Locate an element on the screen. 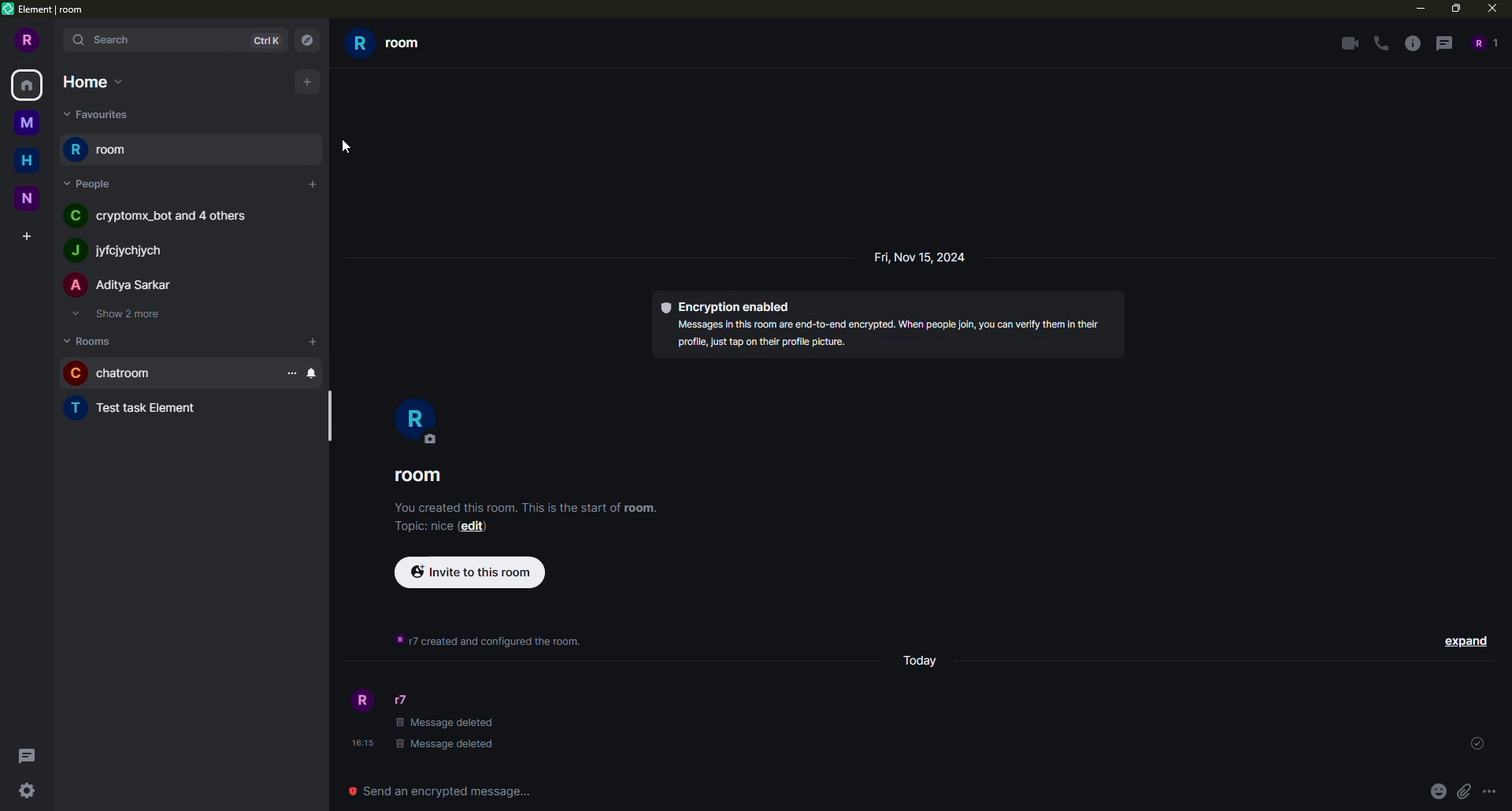 This screenshot has width=1512, height=811. more is located at coordinates (290, 374).